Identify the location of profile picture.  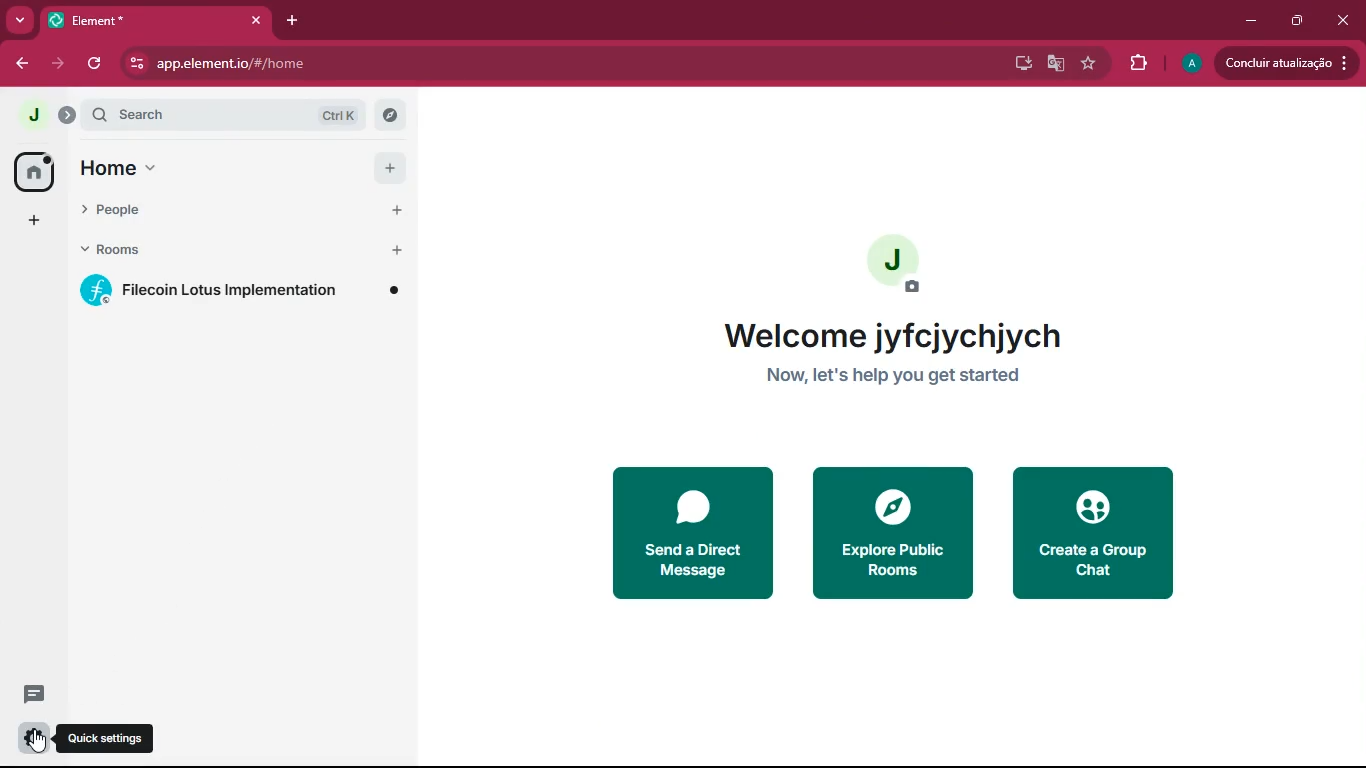
(900, 260).